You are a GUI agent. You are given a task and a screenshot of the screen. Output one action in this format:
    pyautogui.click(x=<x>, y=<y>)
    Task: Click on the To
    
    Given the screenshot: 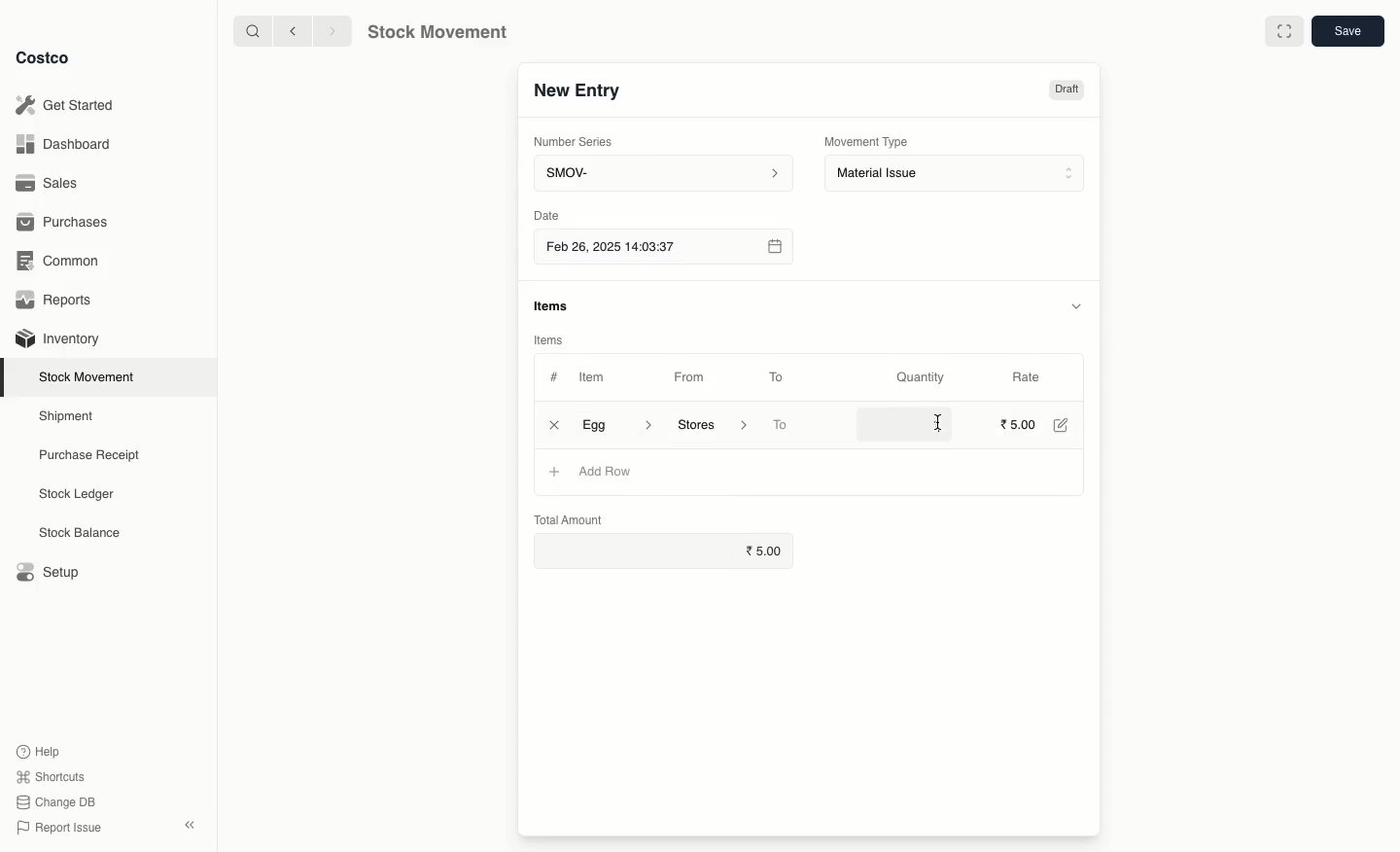 What is the action you would take?
    pyautogui.click(x=782, y=426)
    